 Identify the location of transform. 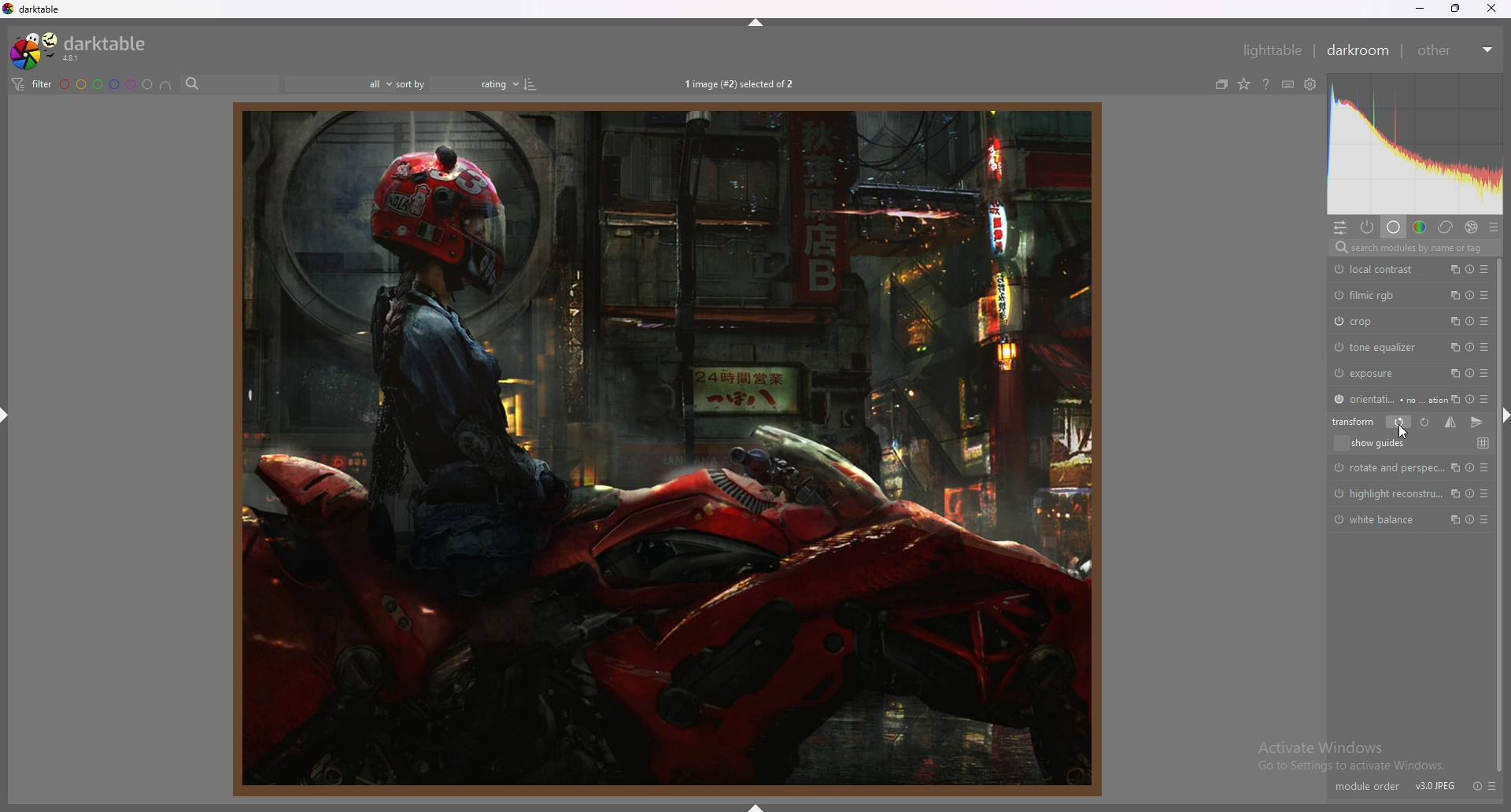
(1354, 422).